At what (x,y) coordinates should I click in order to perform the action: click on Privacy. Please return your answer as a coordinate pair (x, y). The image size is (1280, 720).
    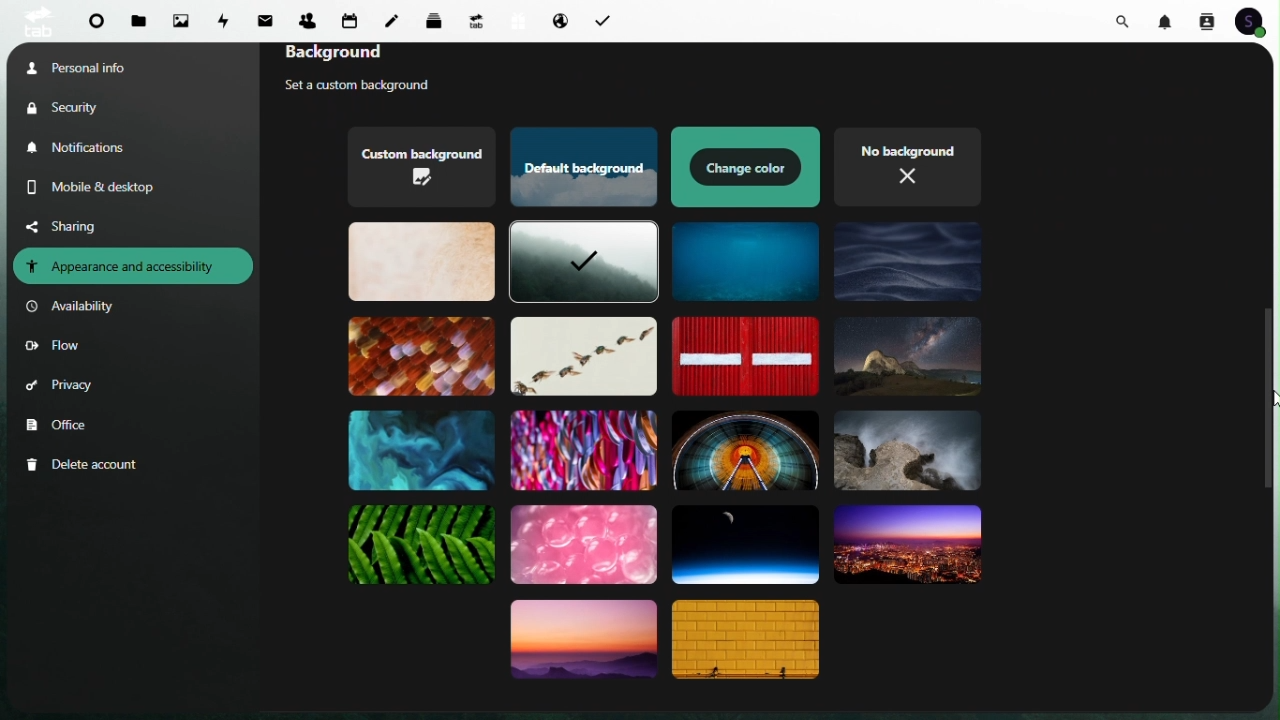
    Looking at the image, I should click on (61, 388).